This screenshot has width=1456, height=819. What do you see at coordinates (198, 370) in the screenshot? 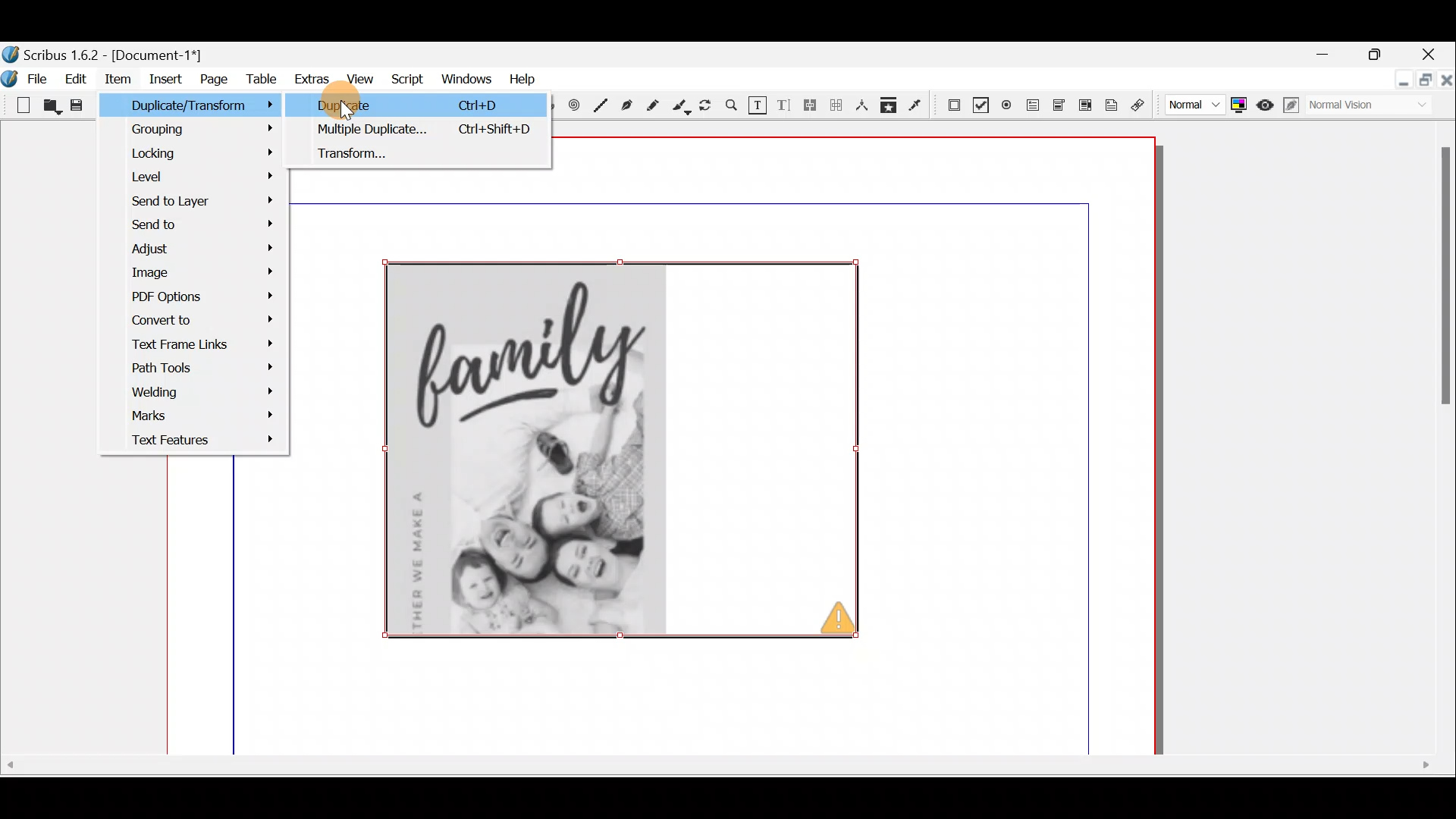
I see `Path tools` at bounding box center [198, 370].